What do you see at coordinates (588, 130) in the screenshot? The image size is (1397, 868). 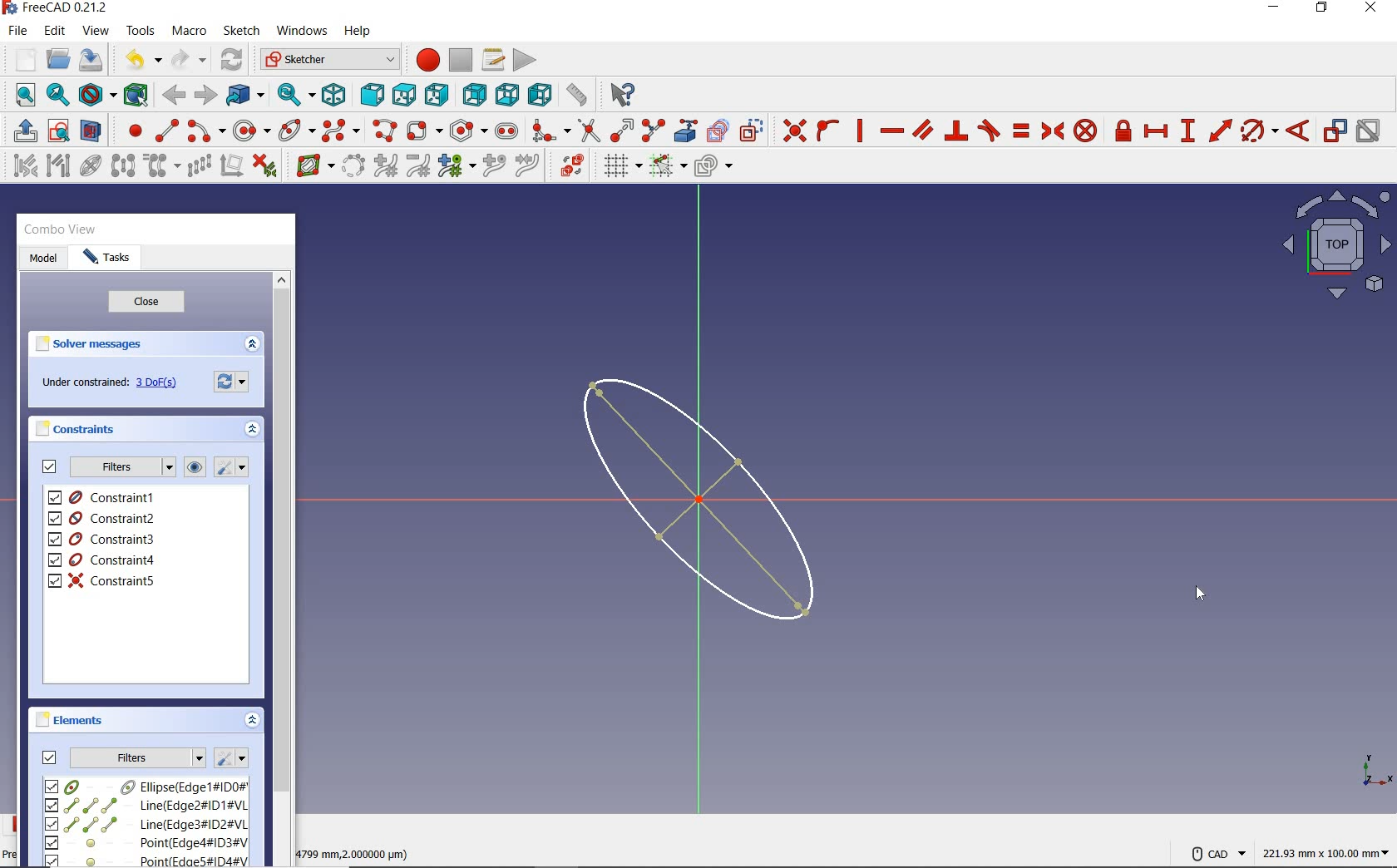 I see `trim edge` at bounding box center [588, 130].